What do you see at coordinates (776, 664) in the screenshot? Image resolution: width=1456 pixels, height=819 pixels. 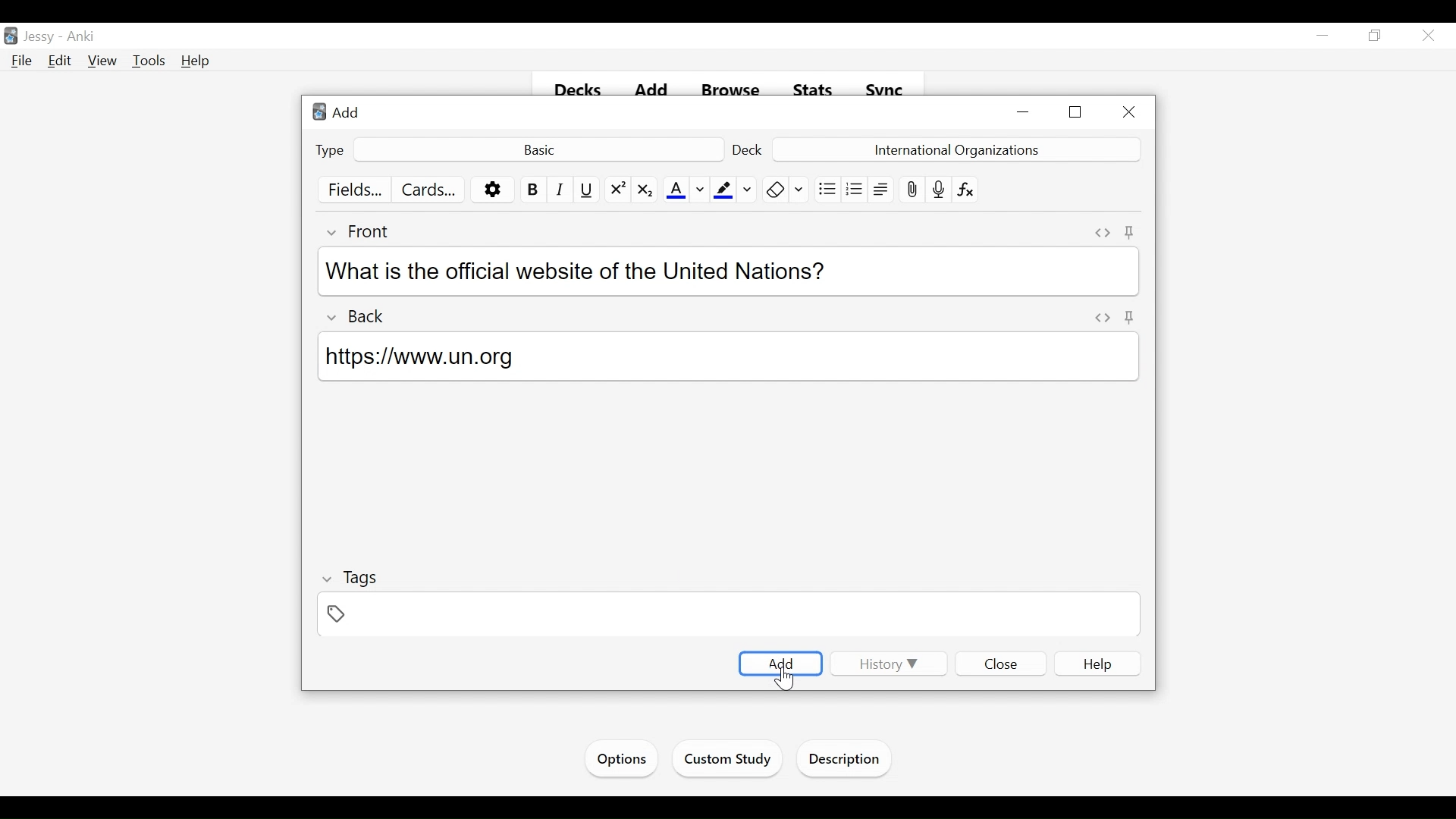 I see `Add` at bounding box center [776, 664].